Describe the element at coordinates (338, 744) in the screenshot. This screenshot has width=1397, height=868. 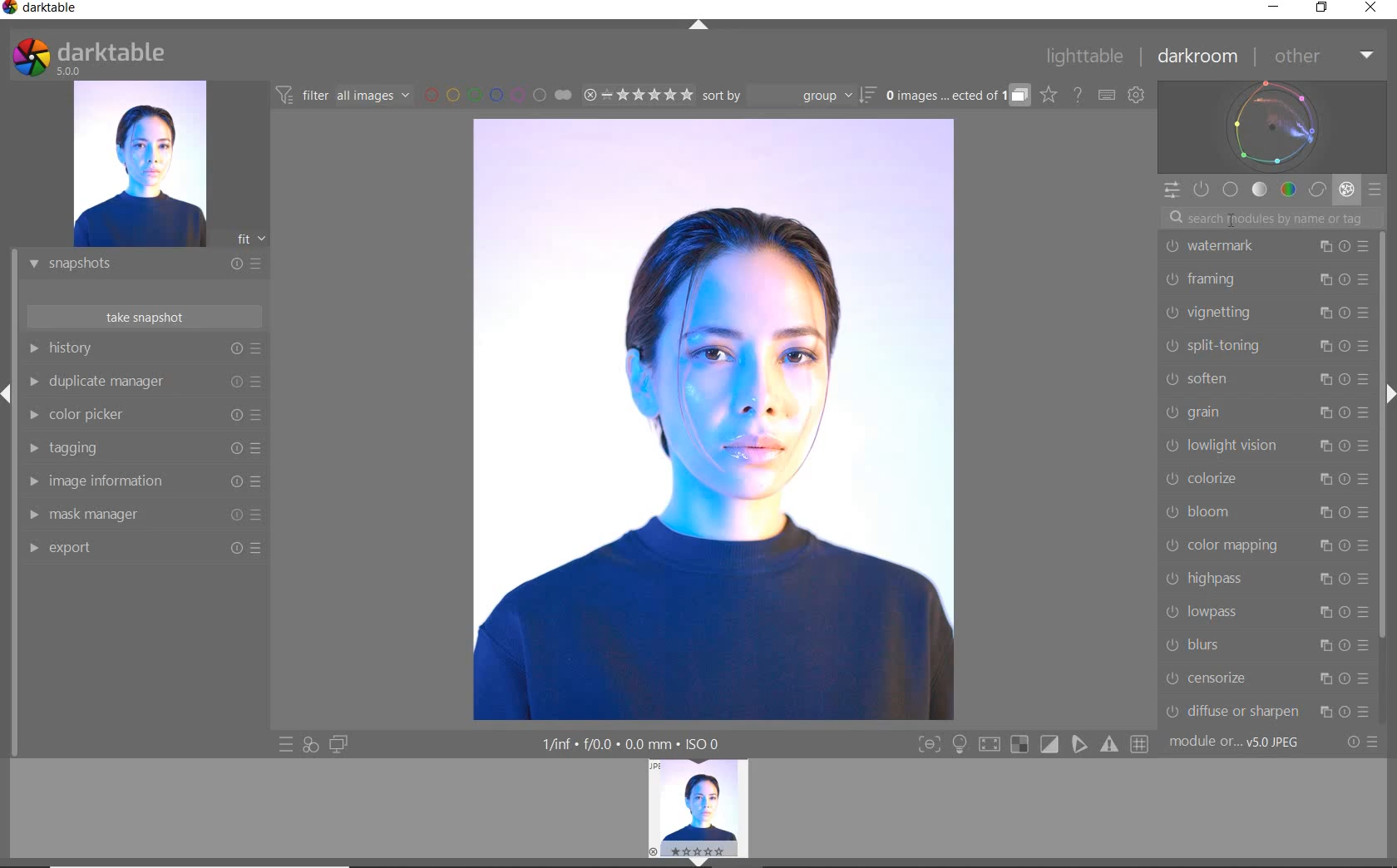
I see `DISPLAY A SECOND DARKROOM IMAGE WINDOW` at that location.